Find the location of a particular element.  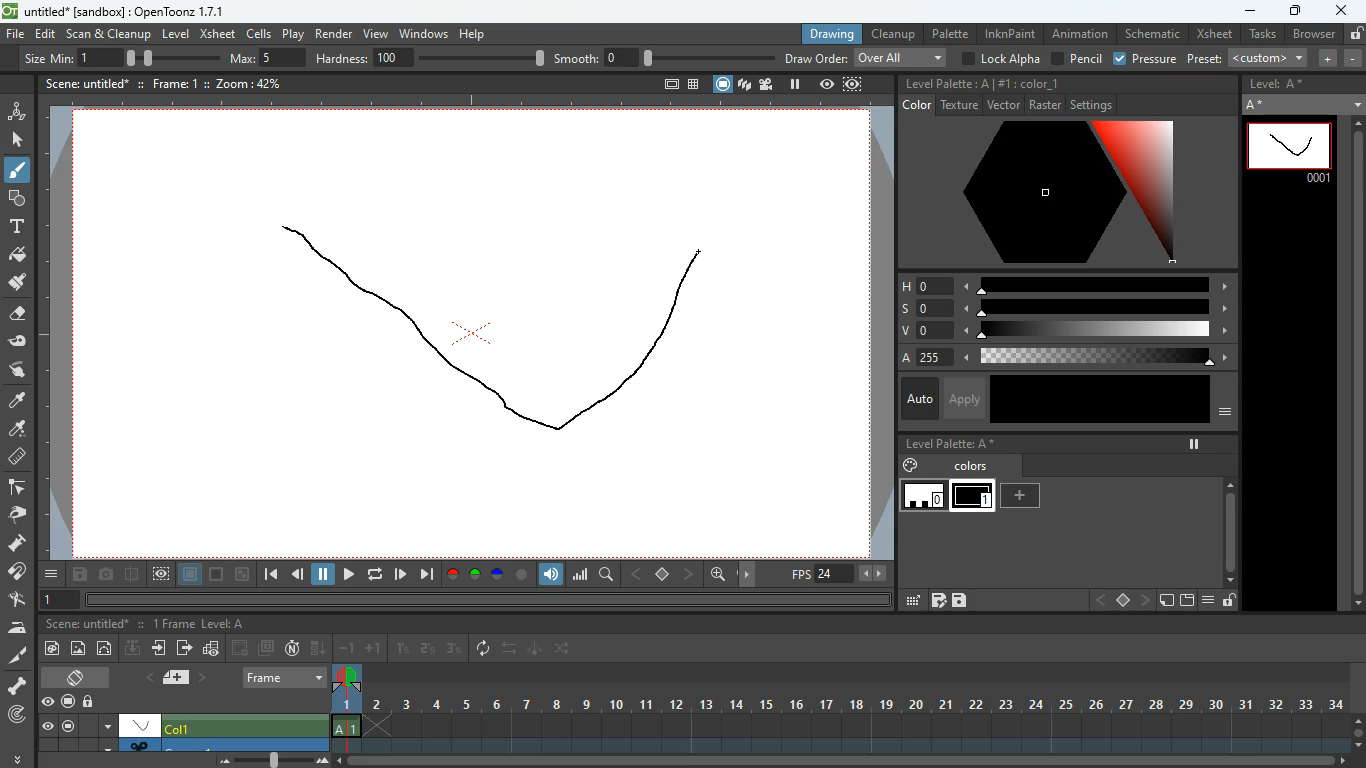

frame is located at coordinates (161, 575).